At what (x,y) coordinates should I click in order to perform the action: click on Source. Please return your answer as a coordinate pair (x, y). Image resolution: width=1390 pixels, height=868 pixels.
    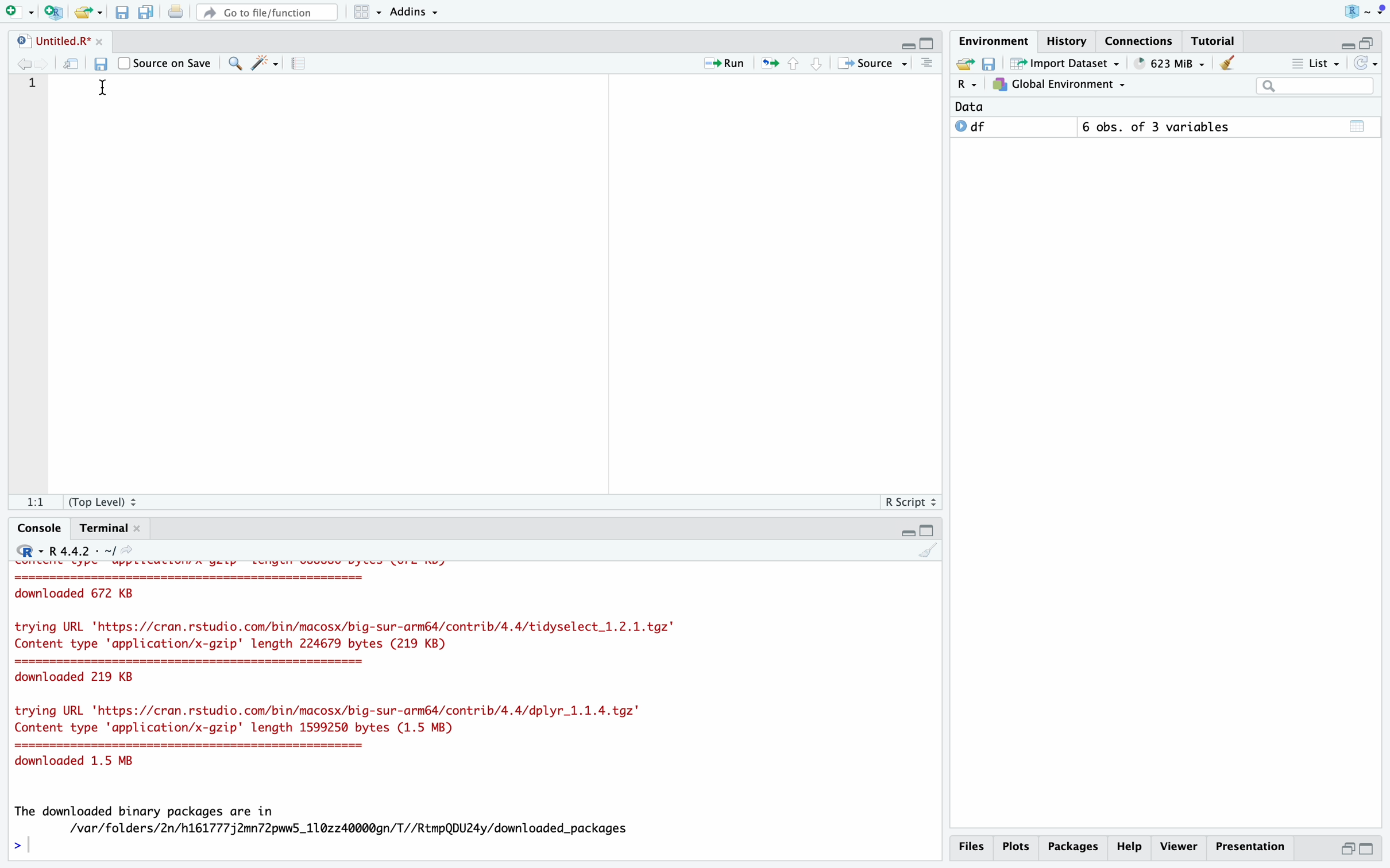
    Looking at the image, I should click on (872, 63).